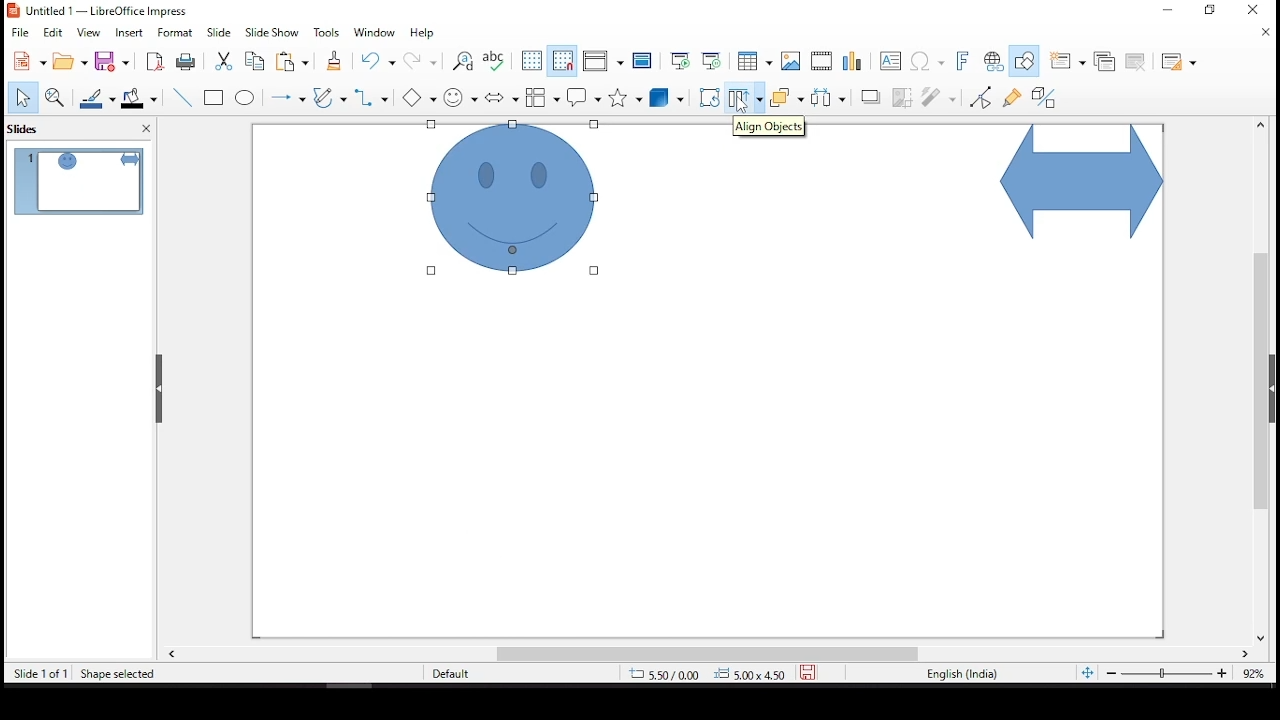 This screenshot has width=1280, height=720. Describe the element at coordinates (382, 61) in the screenshot. I see `undo` at that location.